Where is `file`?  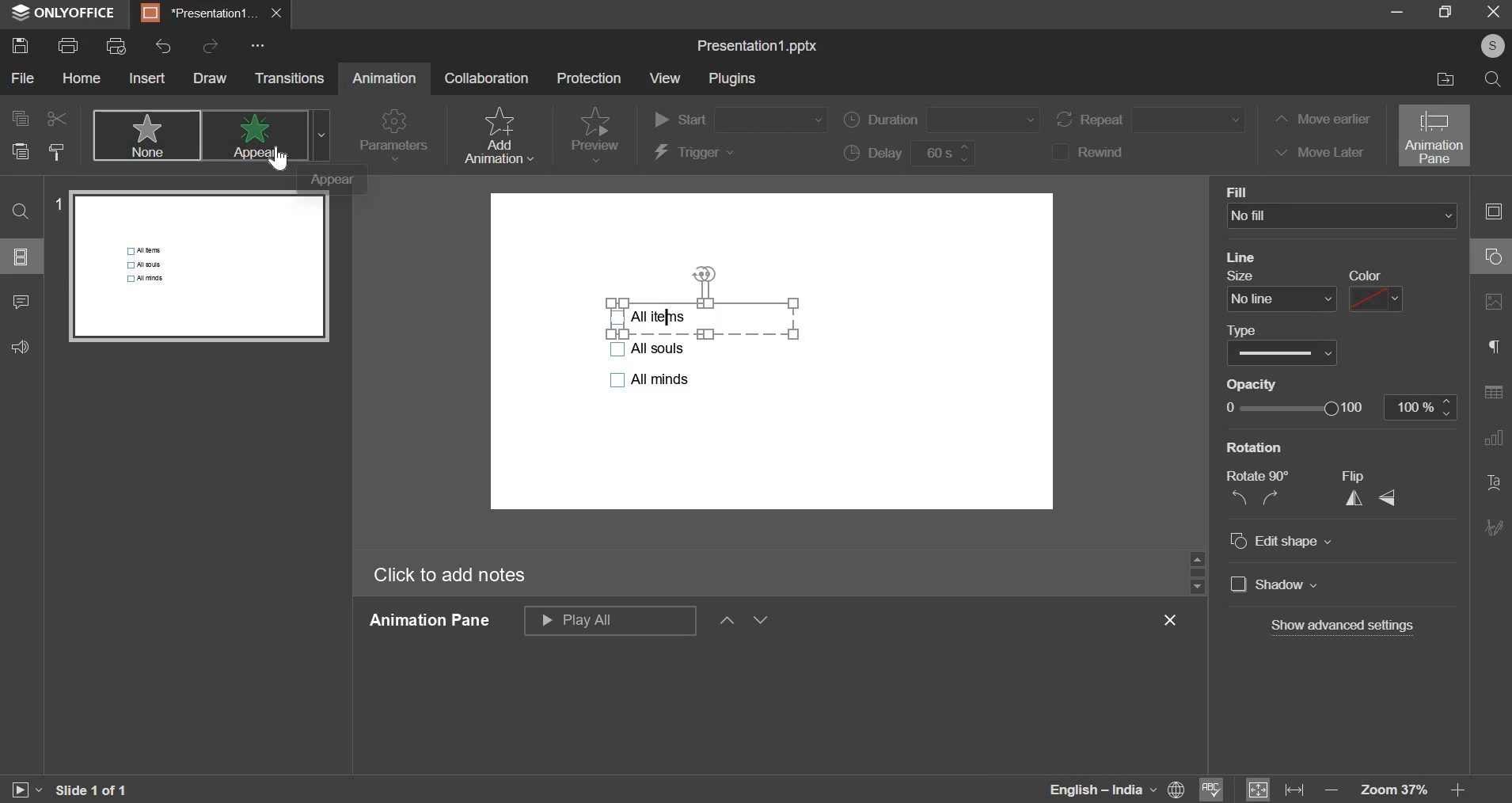
file is located at coordinates (24, 78).